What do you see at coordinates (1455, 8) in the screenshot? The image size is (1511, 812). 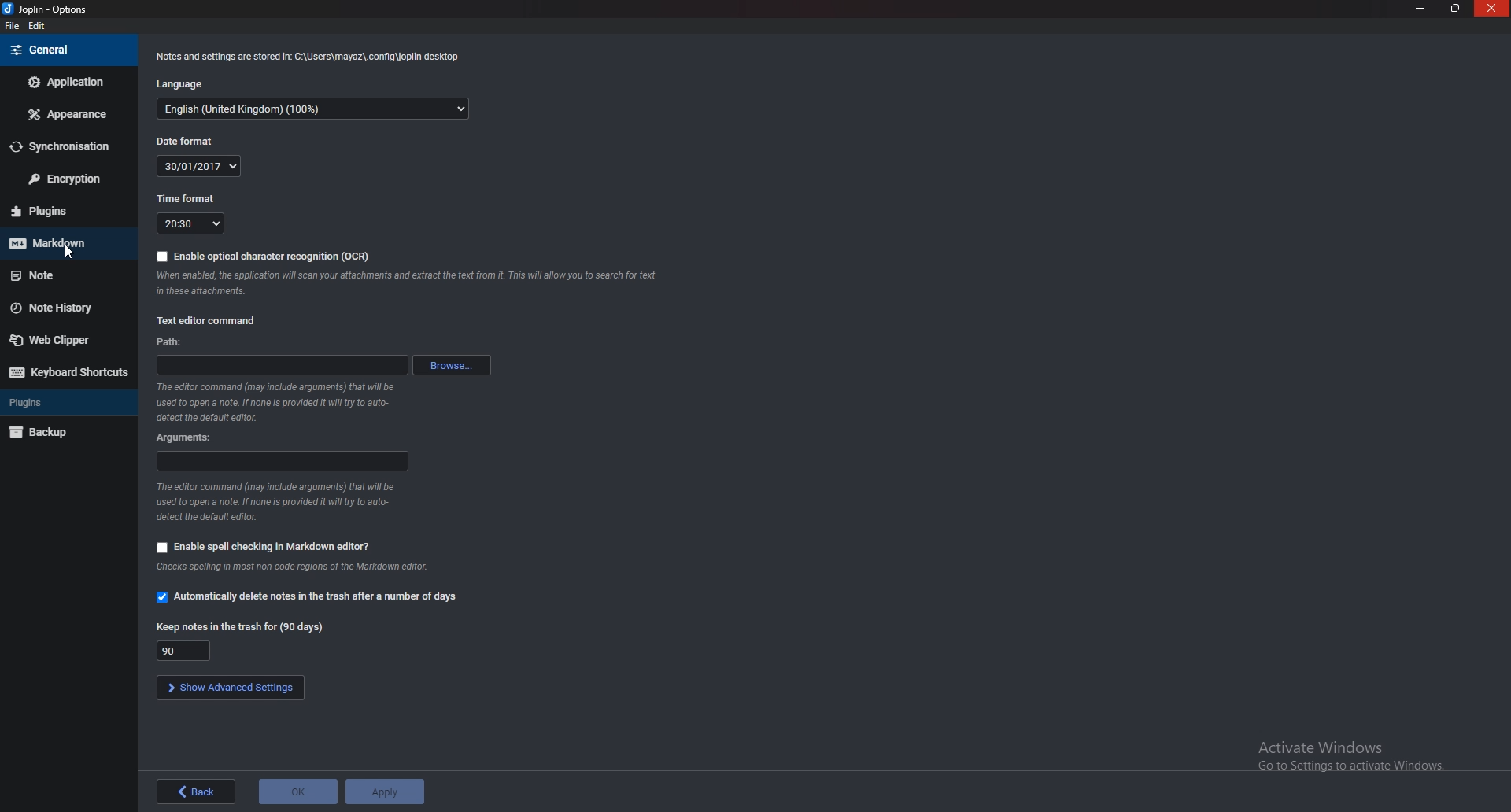 I see `resize` at bounding box center [1455, 8].